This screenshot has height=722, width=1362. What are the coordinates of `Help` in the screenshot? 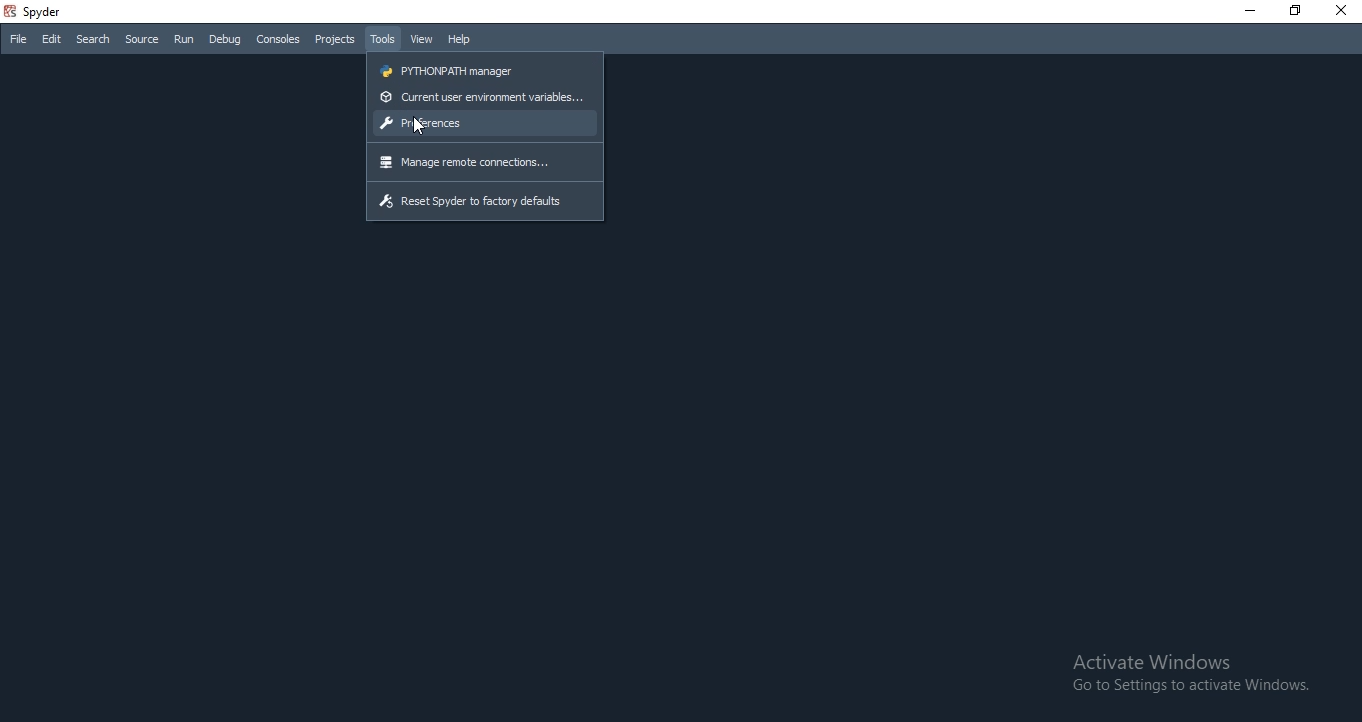 It's located at (460, 39).